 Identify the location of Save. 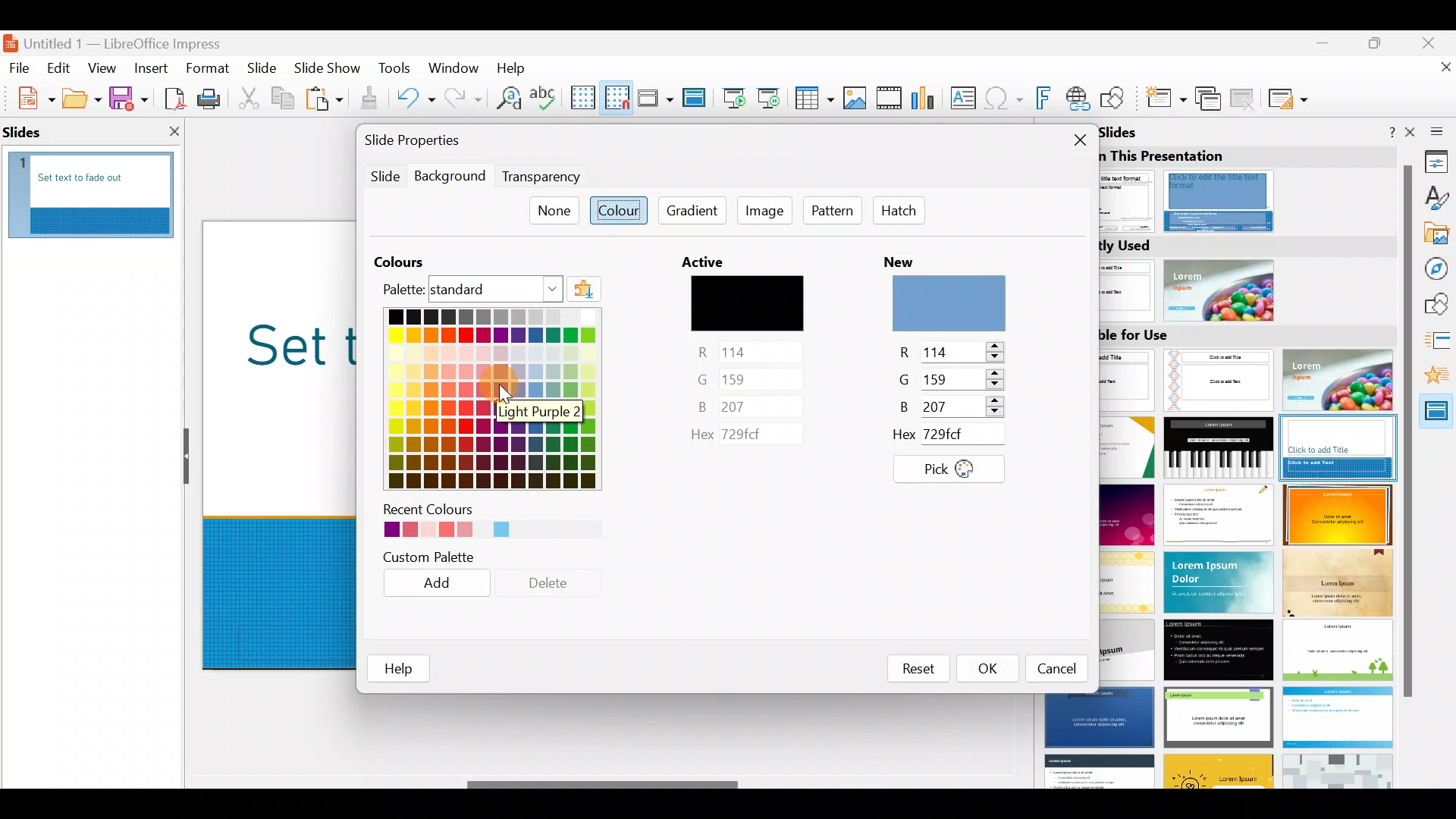
(128, 97).